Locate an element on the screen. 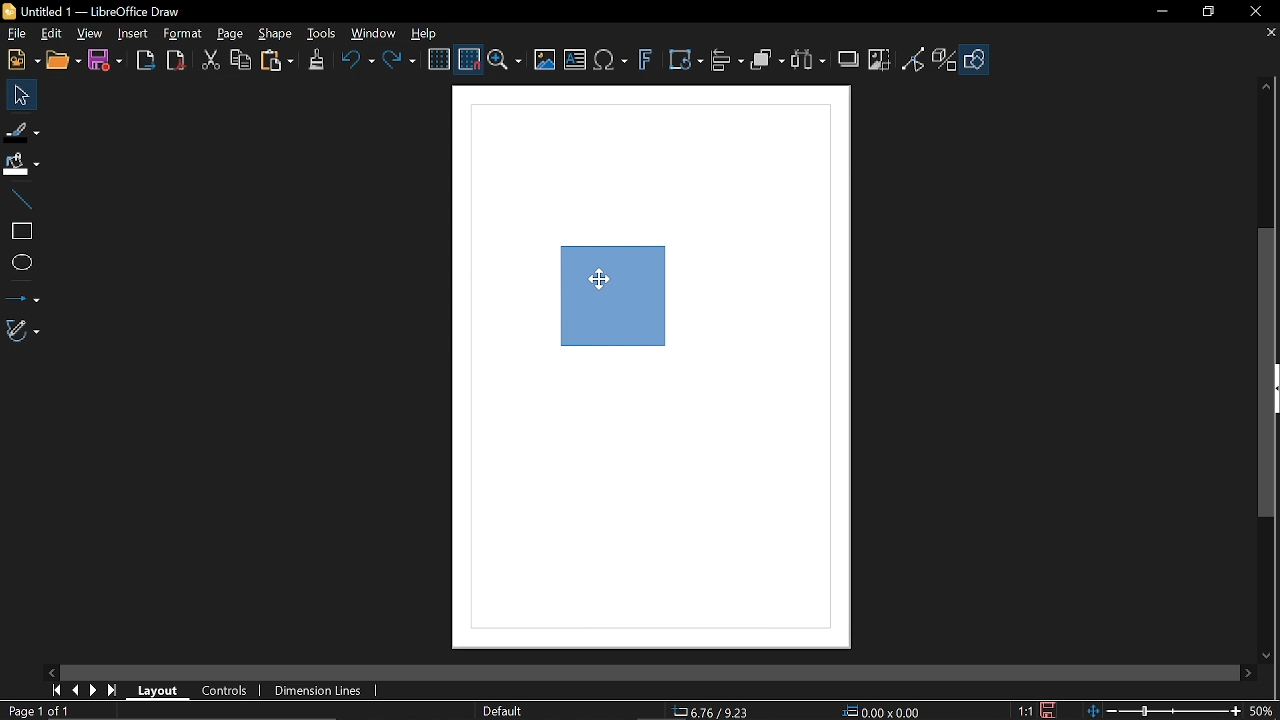 The width and height of the screenshot is (1280, 720). Change zoom is located at coordinates (1162, 711).